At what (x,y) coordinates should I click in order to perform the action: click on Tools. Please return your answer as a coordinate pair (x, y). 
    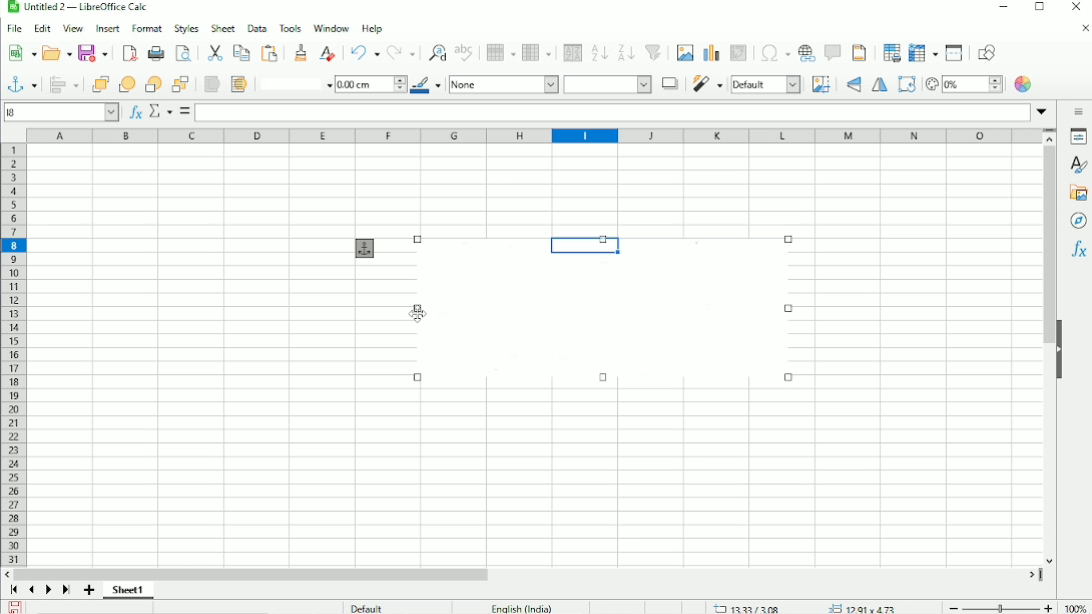
    Looking at the image, I should click on (289, 27).